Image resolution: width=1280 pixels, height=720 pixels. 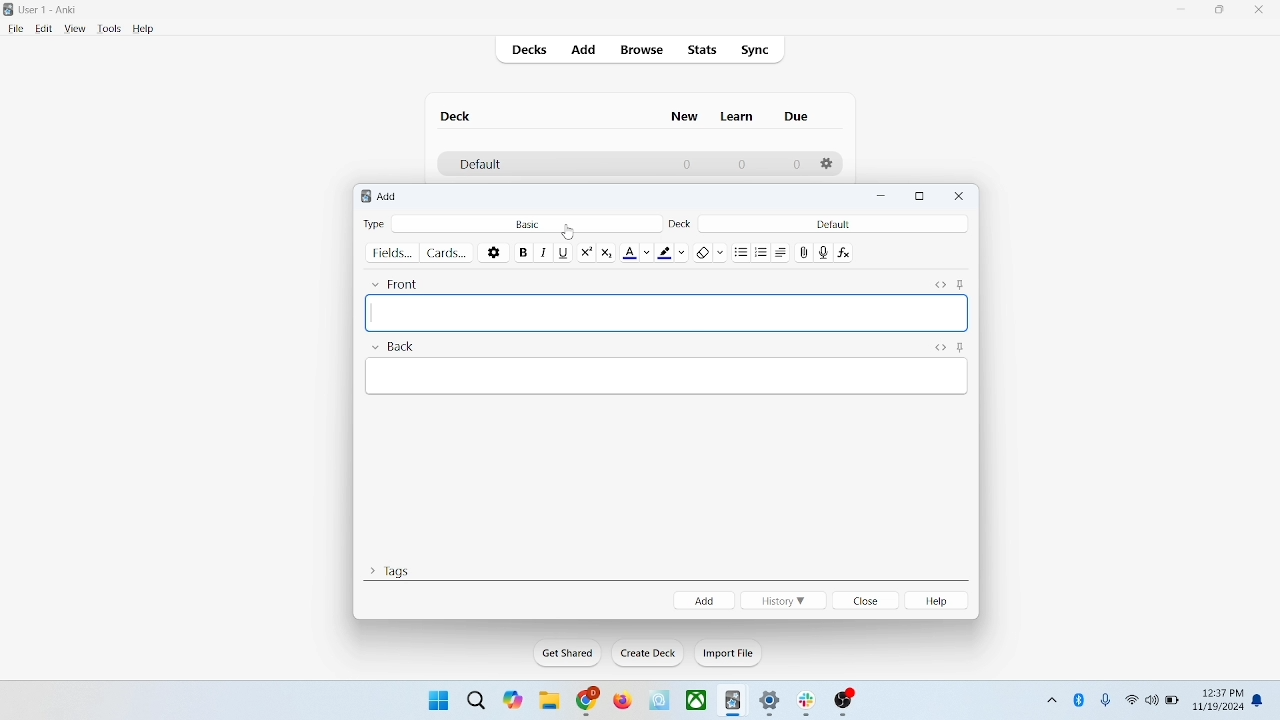 I want to click on HTML editor, so click(x=939, y=284).